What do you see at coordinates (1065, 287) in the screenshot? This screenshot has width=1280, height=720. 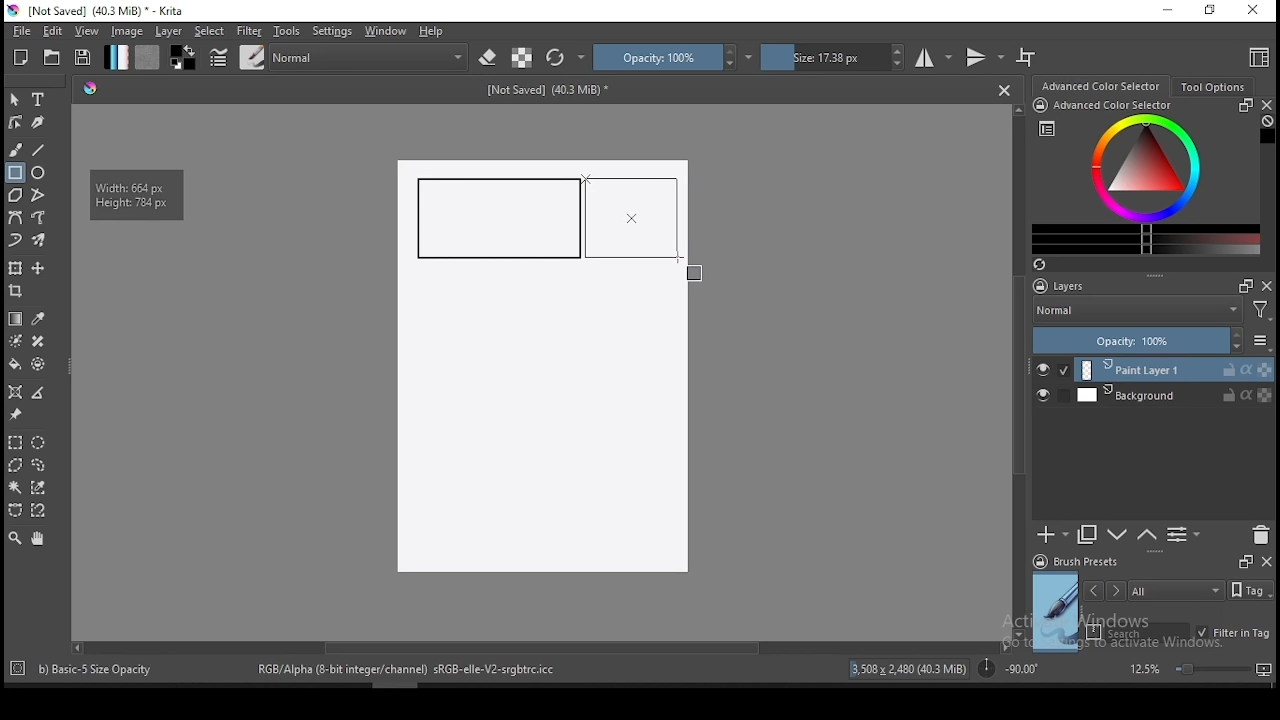 I see `layers` at bounding box center [1065, 287].